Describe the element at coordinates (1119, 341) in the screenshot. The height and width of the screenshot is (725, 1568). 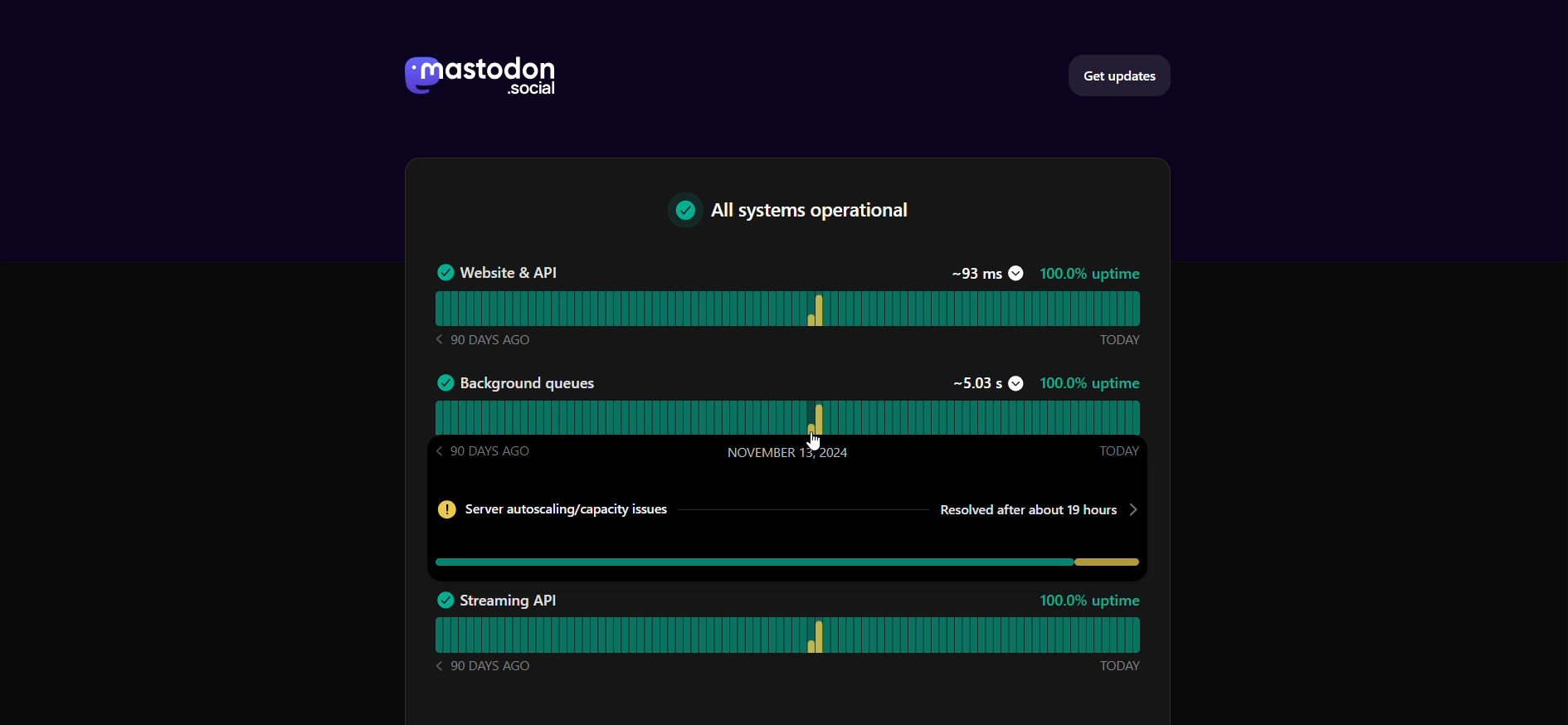
I see `Today` at that location.